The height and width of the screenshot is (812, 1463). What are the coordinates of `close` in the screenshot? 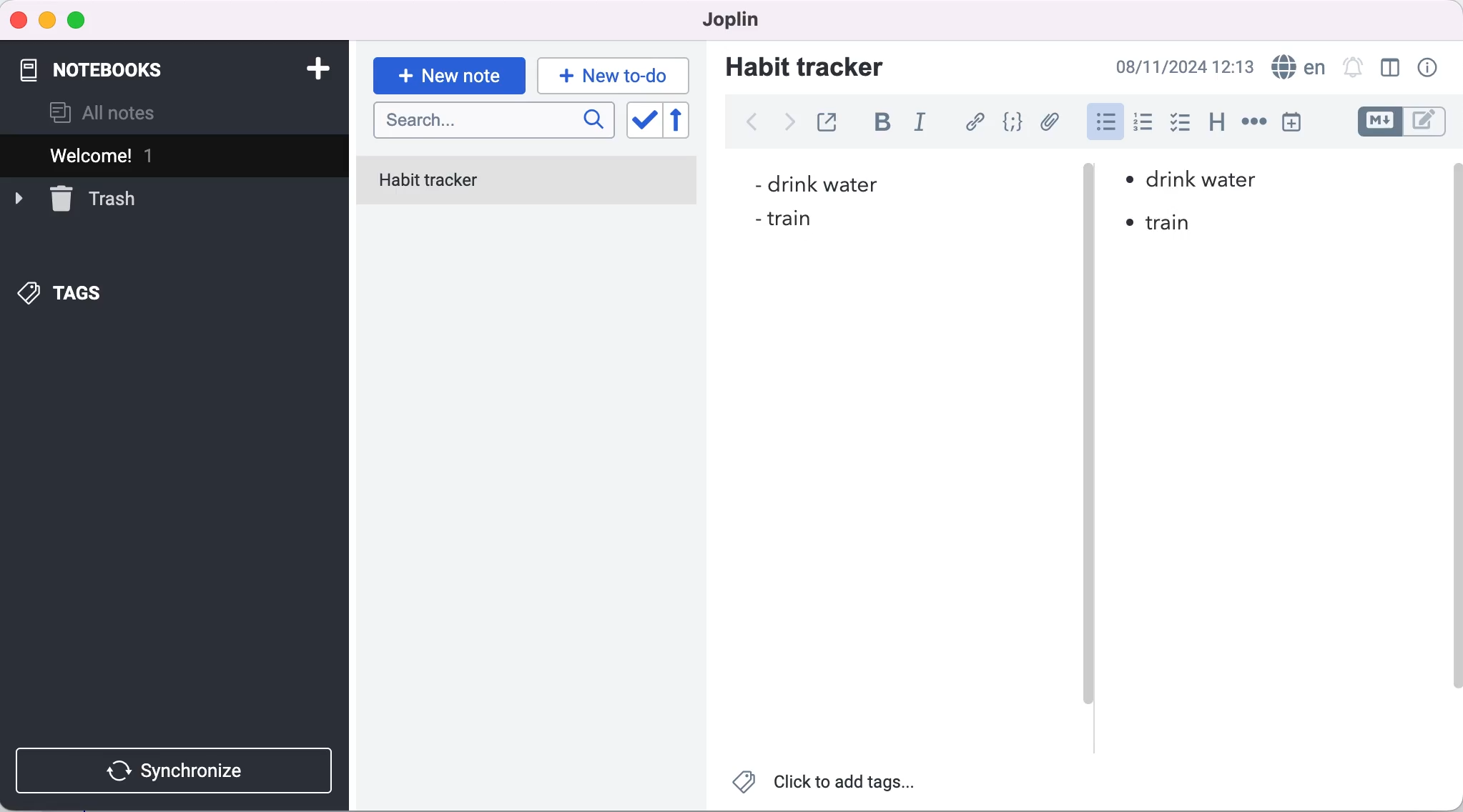 It's located at (19, 19).